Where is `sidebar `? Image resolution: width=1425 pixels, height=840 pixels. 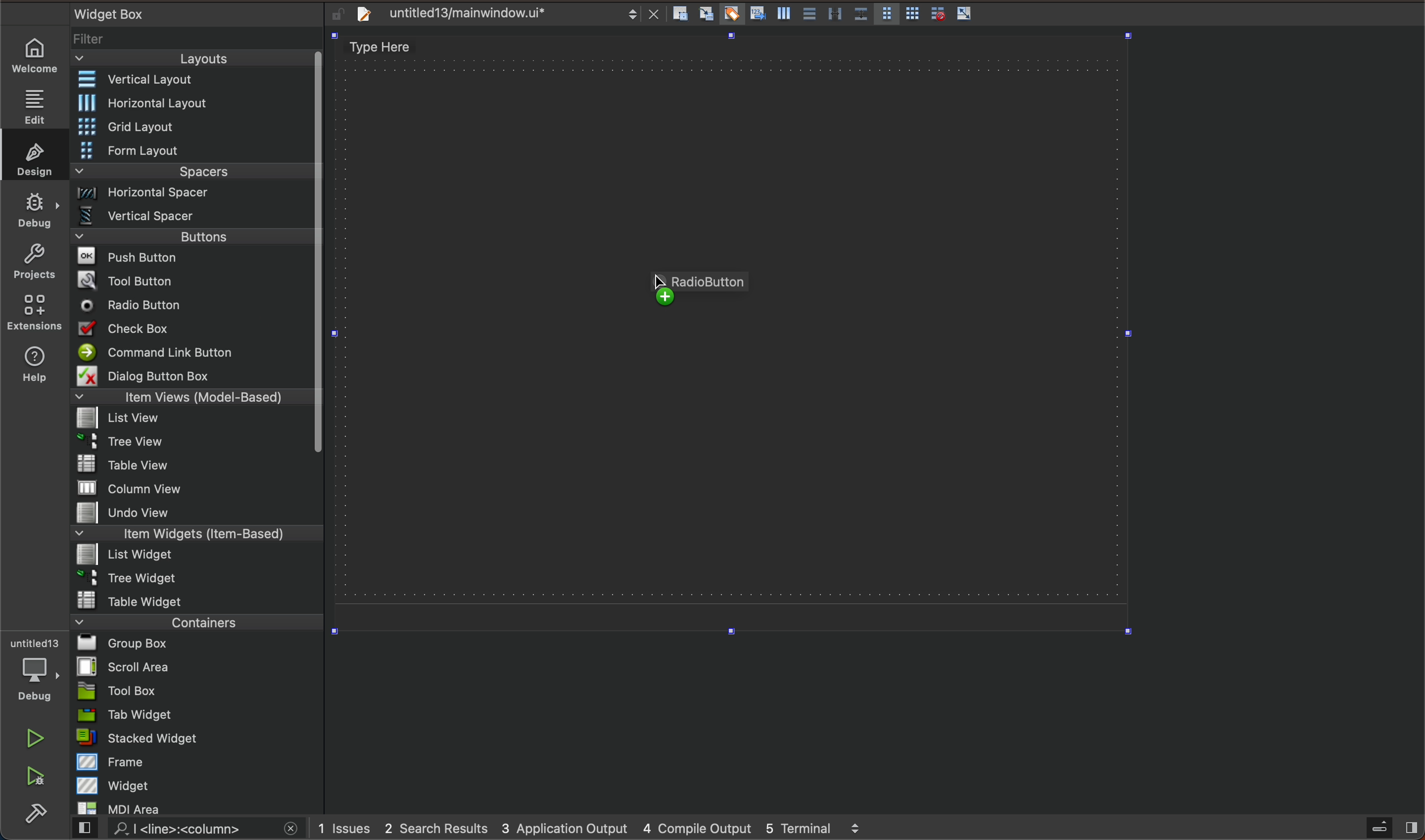
sidebar  is located at coordinates (1381, 828).